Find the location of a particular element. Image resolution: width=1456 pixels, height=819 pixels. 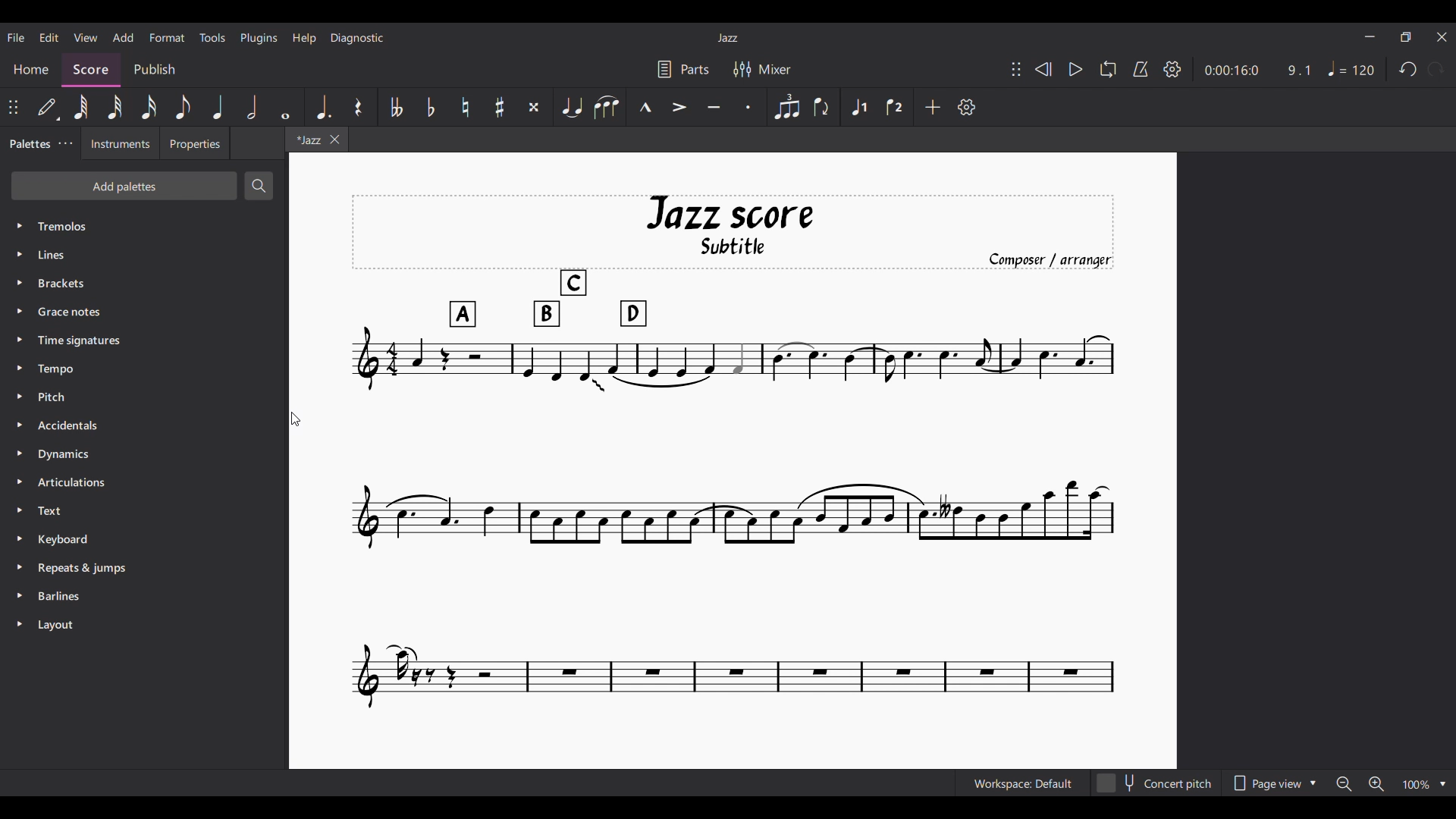

Rewind is located at coordinates (1044, 69).